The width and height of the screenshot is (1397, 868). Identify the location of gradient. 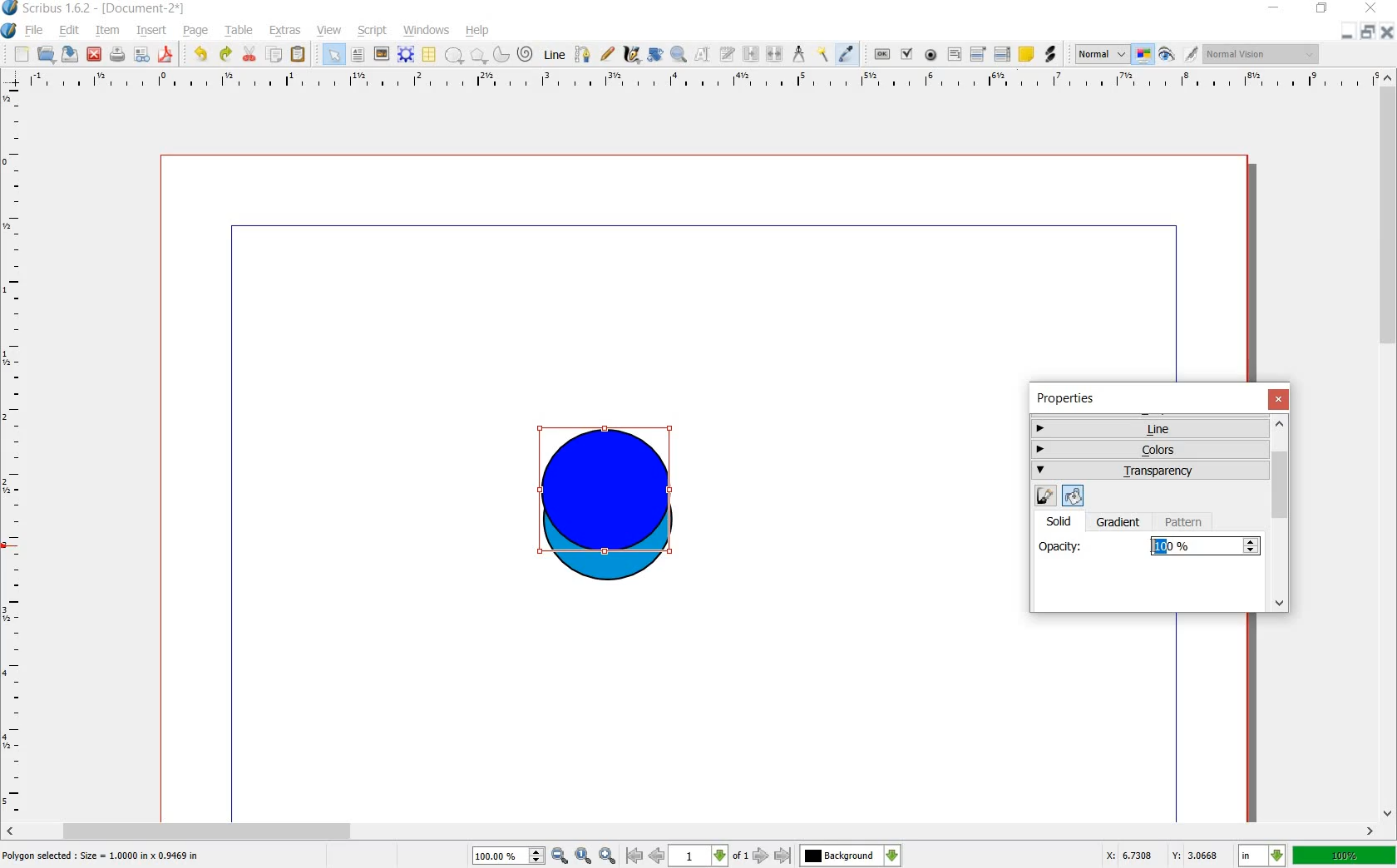
(1119, 523).